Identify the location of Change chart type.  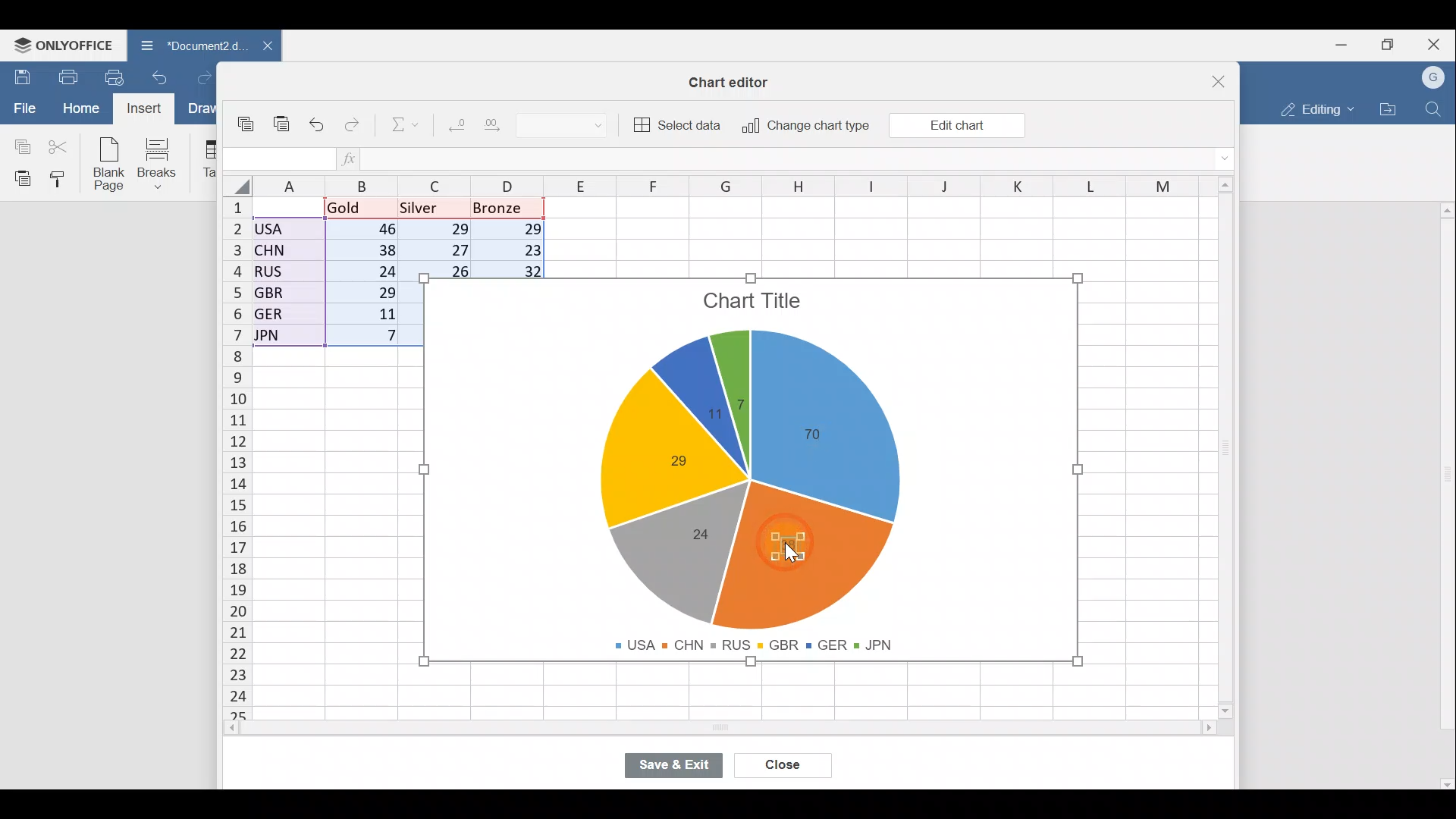
(801, 127).